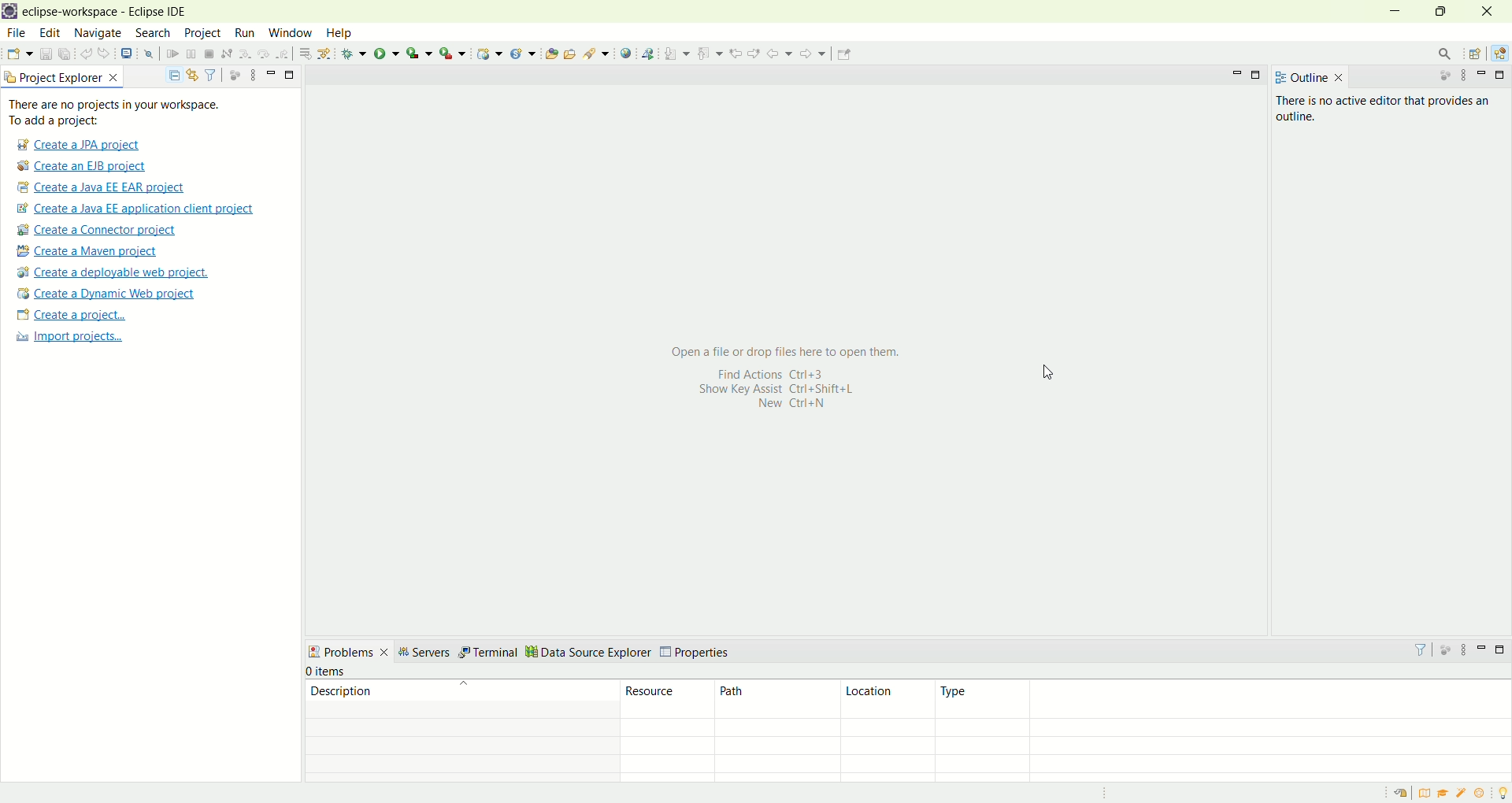 This screenshot has width=1512, height=803. Describe the element at coordinates (491, 652) in the screenshot. I see `terminal` at that location.